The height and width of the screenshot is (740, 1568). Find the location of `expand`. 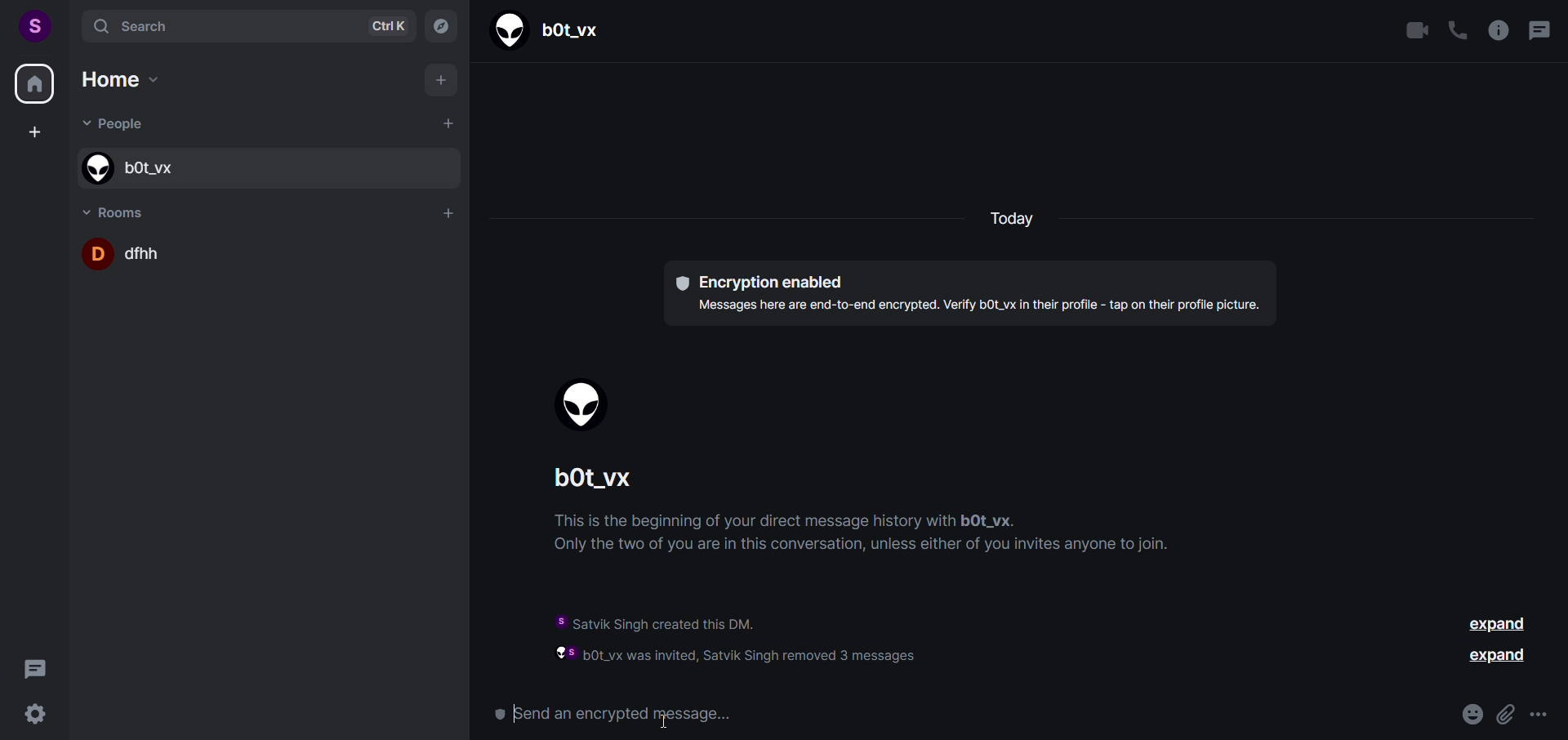

expand is located at coordinates (1498, 623).